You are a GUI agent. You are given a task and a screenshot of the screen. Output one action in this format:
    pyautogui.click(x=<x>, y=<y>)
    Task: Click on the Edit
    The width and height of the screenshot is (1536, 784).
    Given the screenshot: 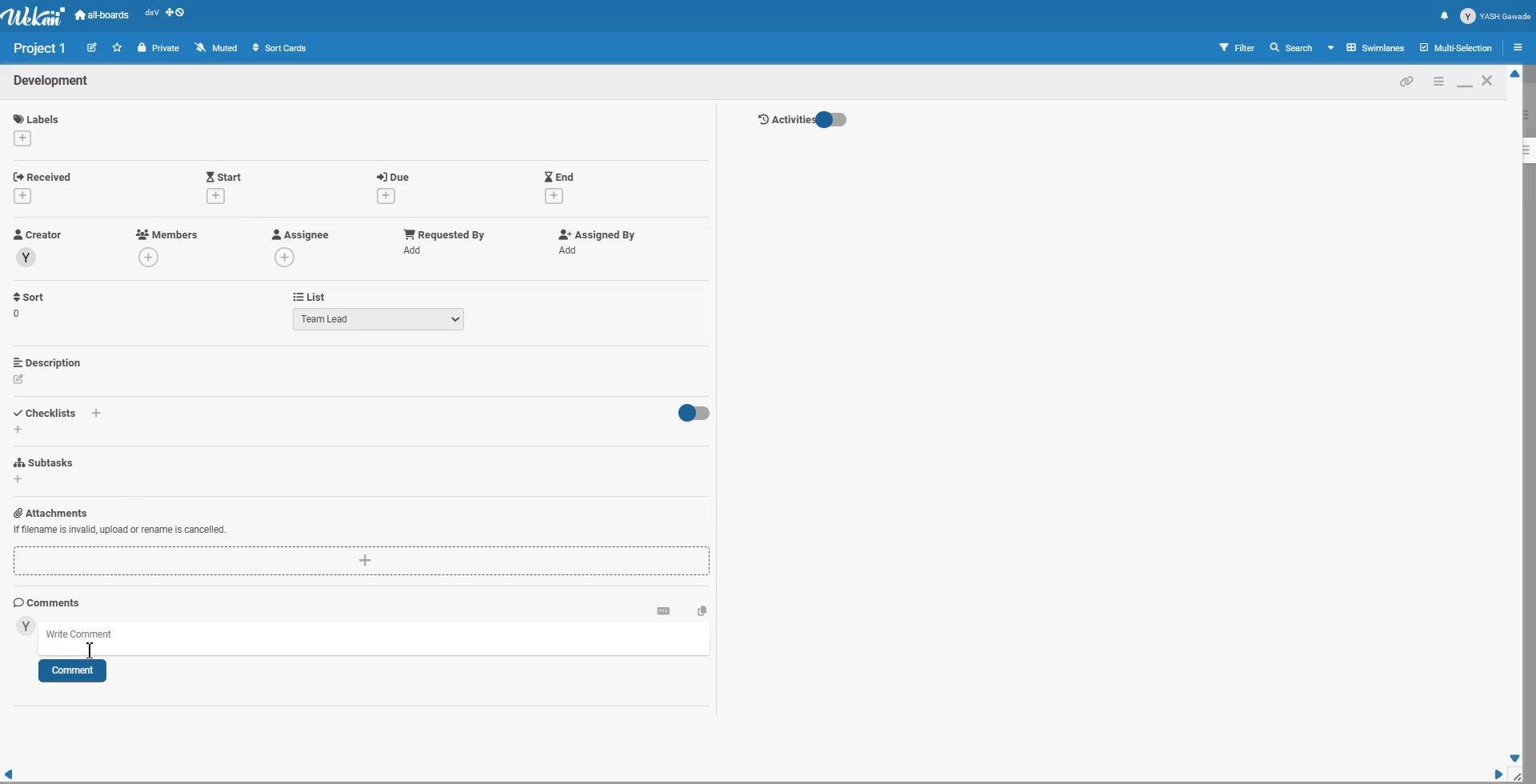 What is the action you would take?
    pyautogui.click(x=92, y=46)
    